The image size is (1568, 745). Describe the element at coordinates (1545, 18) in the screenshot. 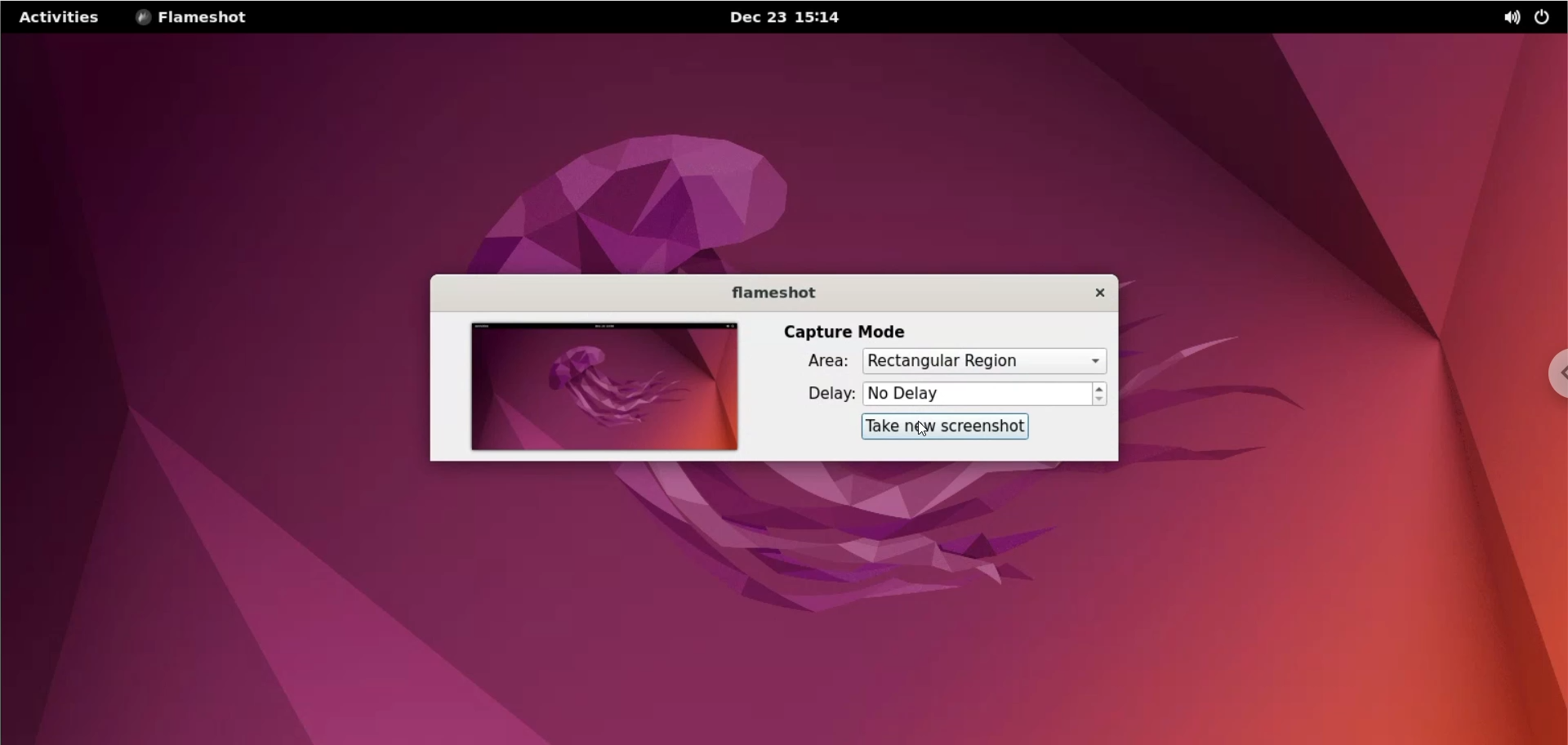

I see `power options` at that location.